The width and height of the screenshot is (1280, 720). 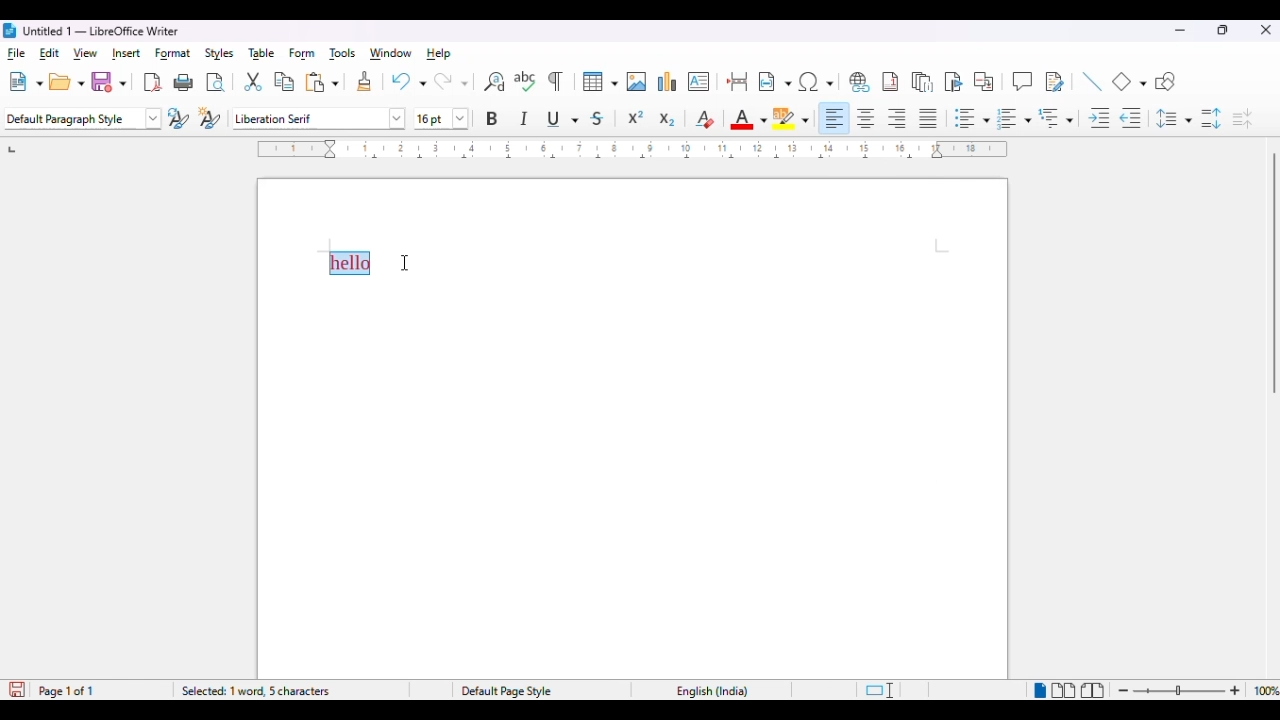 What do you see at coordinates (152, 83) in the screenshot?
I see `export directly as PDF` at bounding box center [152, 83].